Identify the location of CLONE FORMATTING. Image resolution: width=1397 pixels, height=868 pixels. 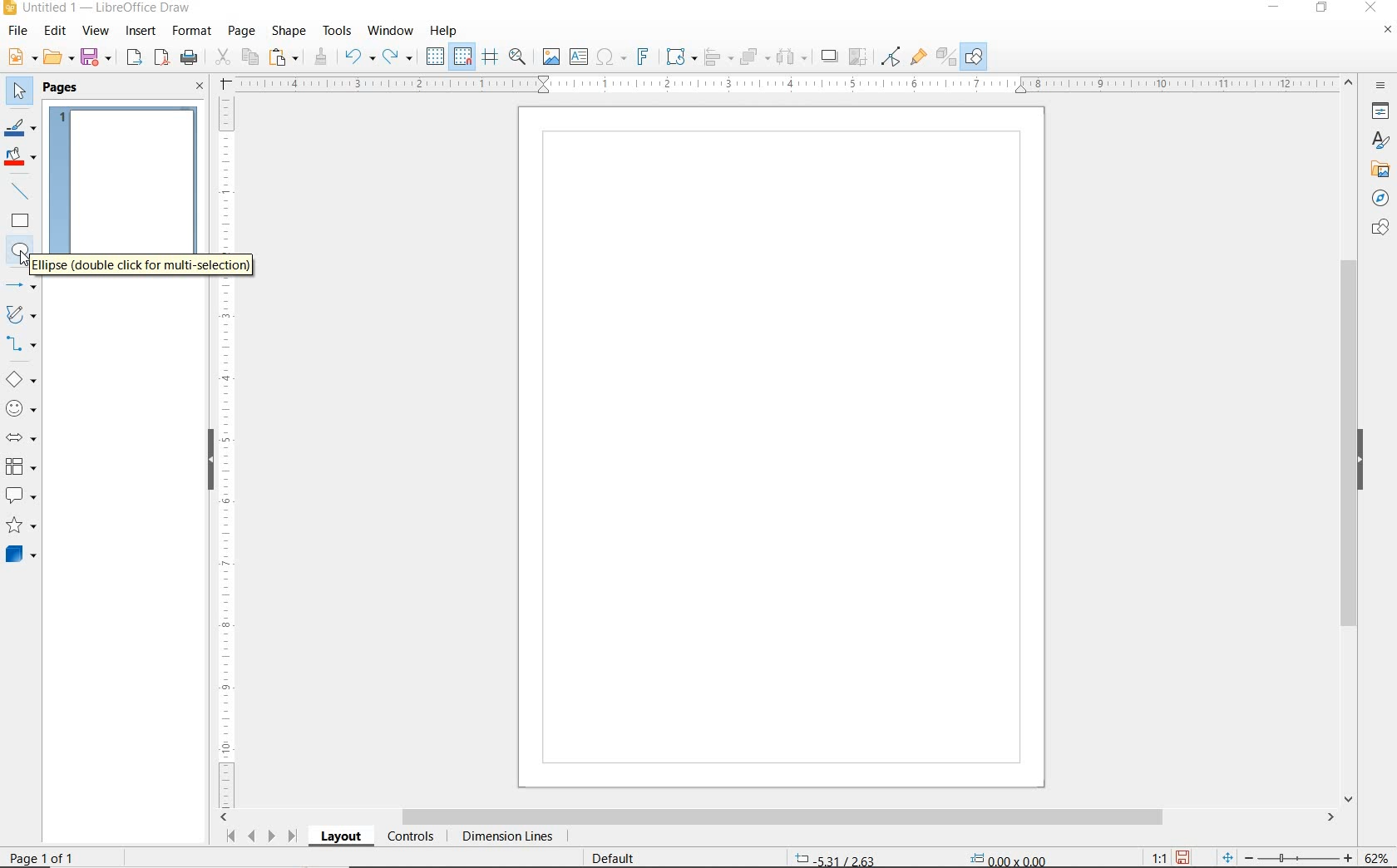
(320, 57).